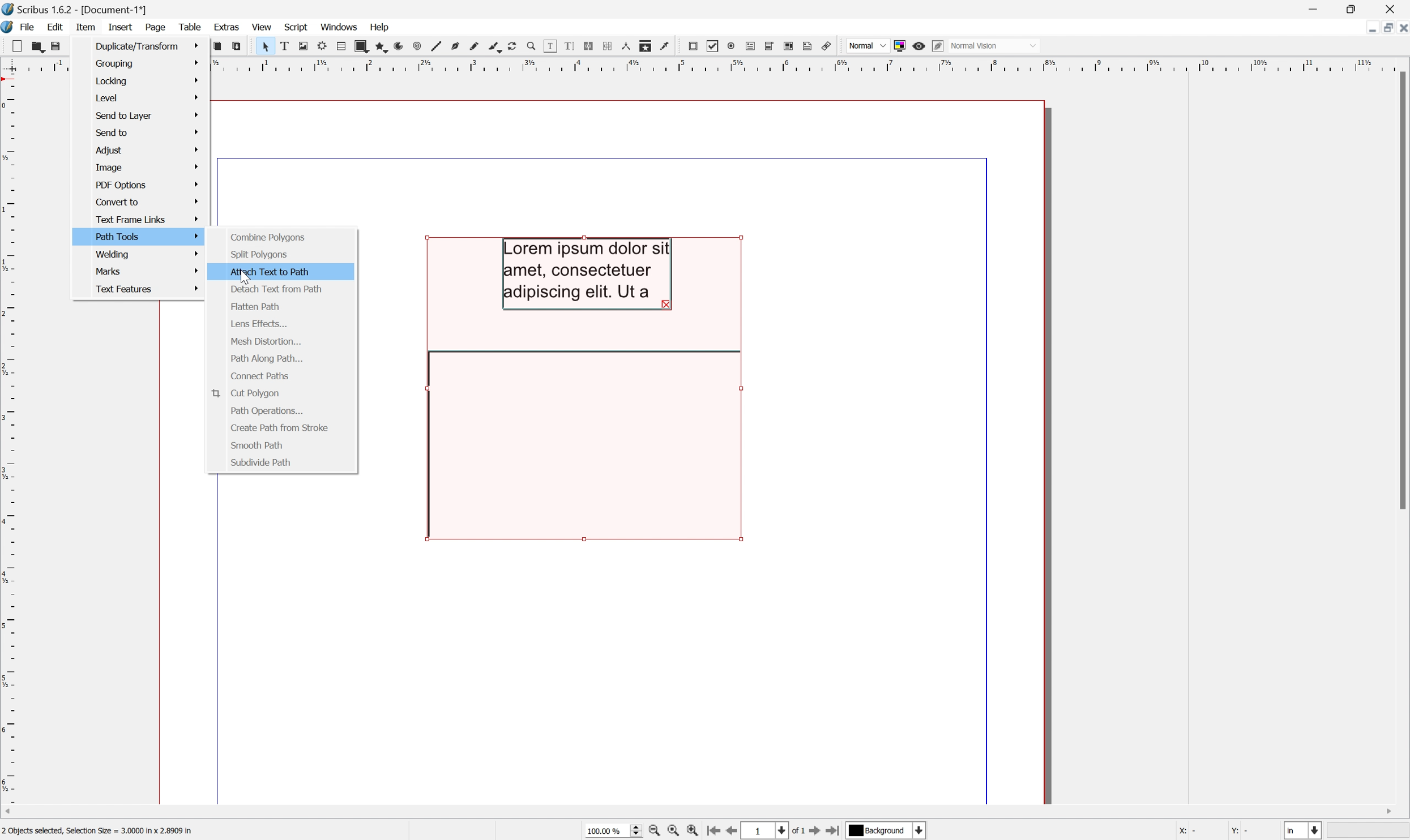  What do you see at coordinates (270, 272) in the screenshot?
I see `Attach to path` at bounding box center [270, 272].